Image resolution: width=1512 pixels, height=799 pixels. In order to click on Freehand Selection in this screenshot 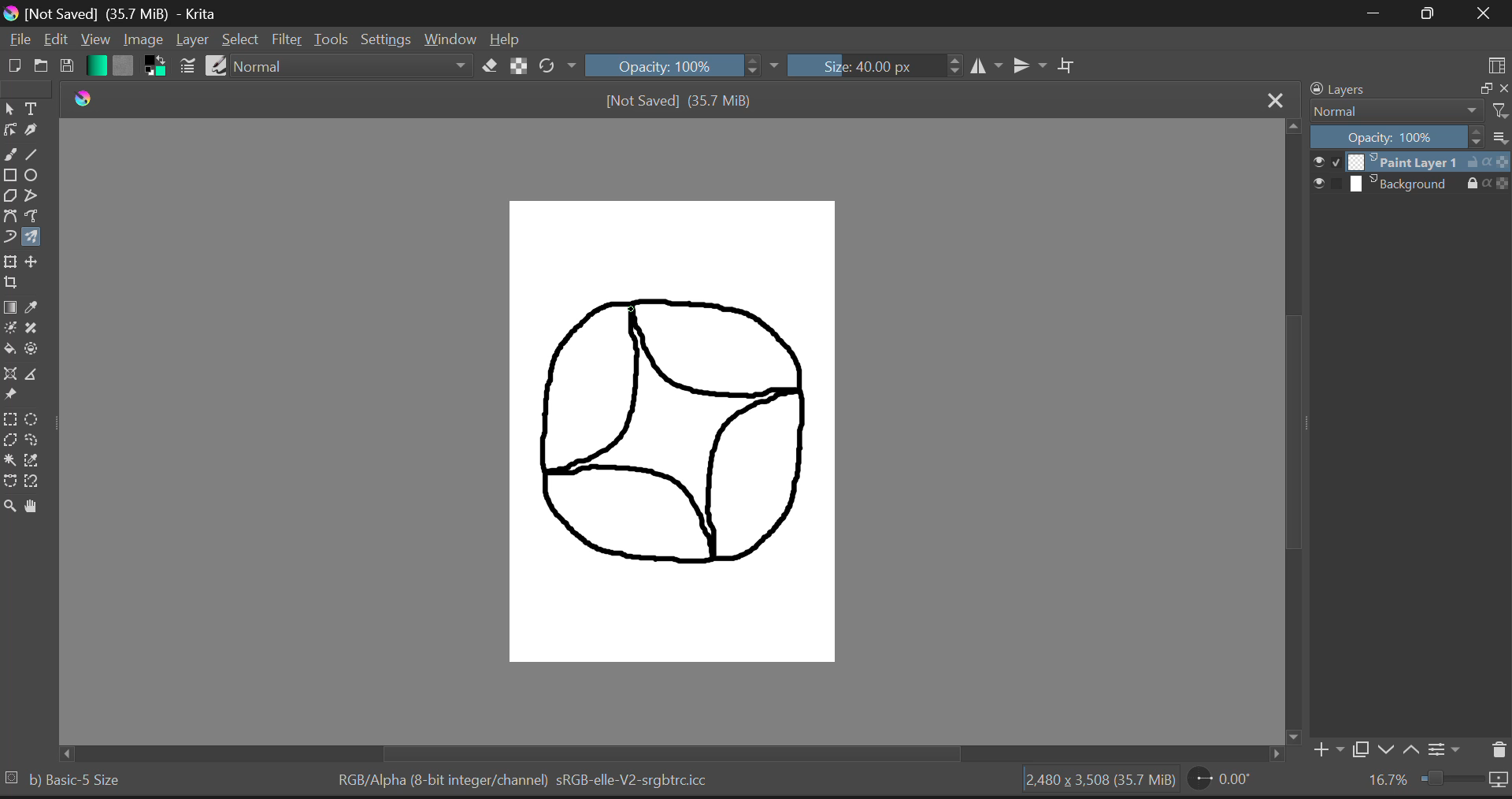, I will do `click(38, 440)`.